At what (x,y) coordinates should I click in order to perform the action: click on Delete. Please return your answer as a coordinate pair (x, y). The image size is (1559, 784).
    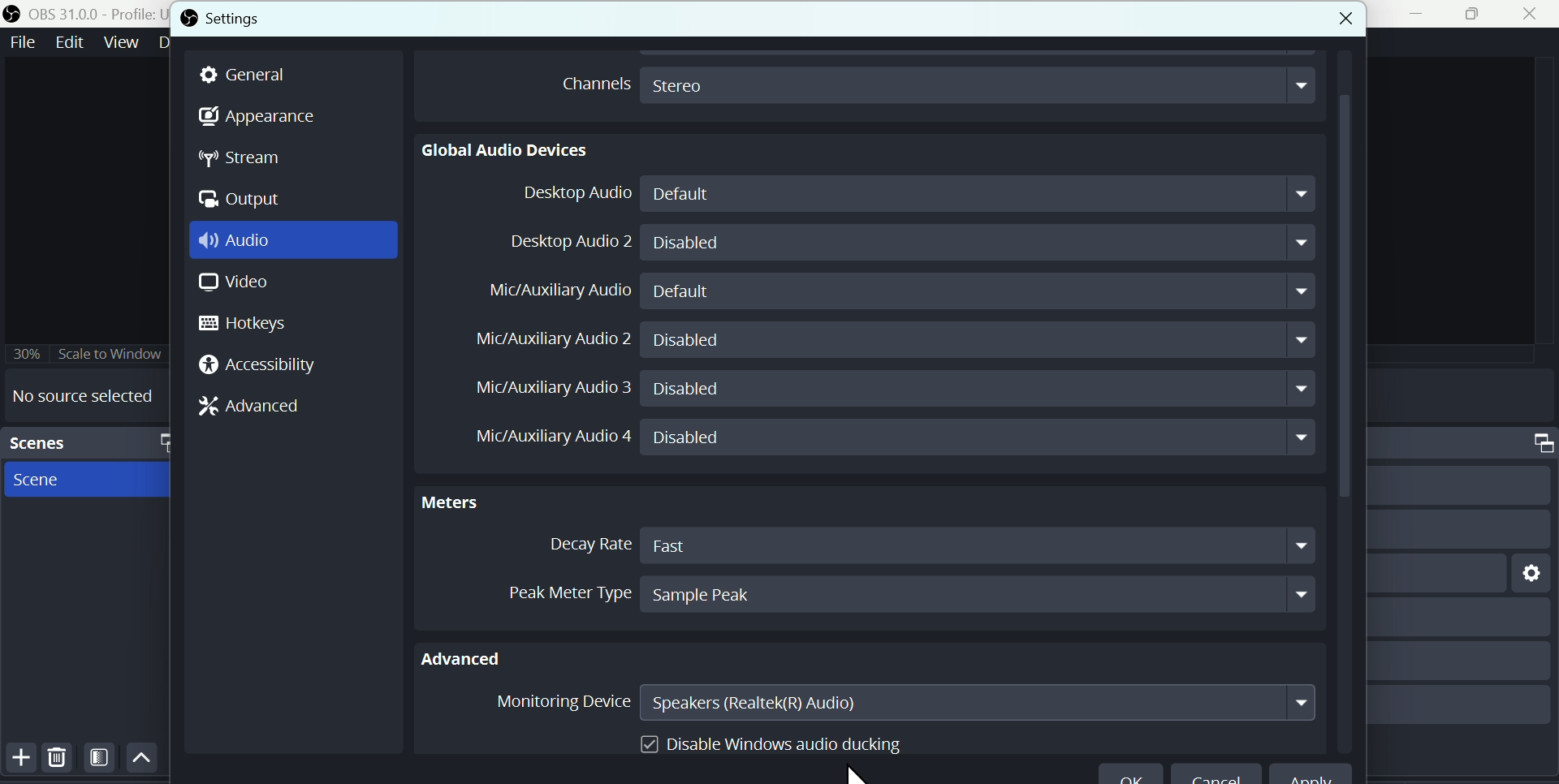
    Looking at the image, I should click on (57, 760).